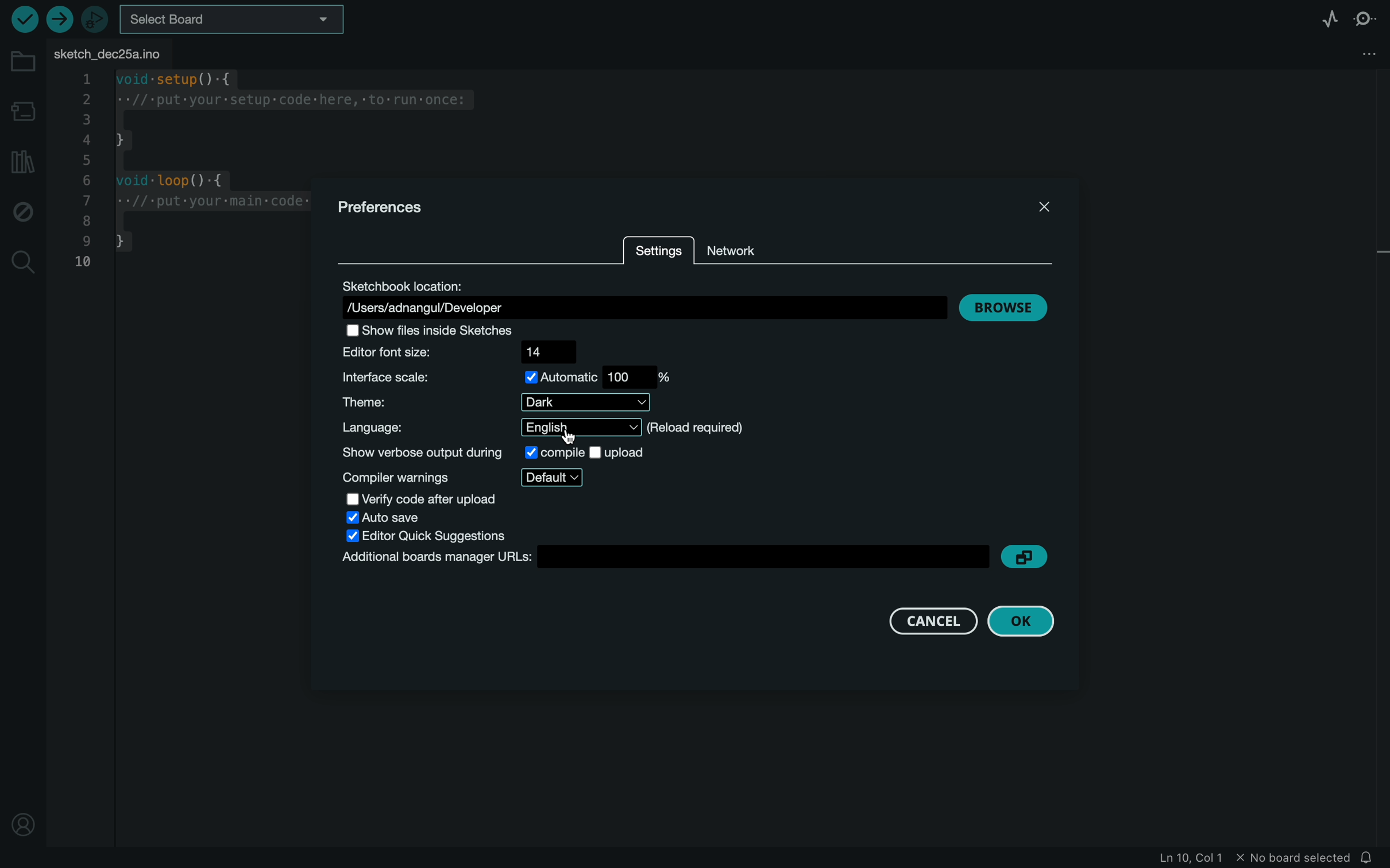  I want to click on verify  code, so click(422, 498).